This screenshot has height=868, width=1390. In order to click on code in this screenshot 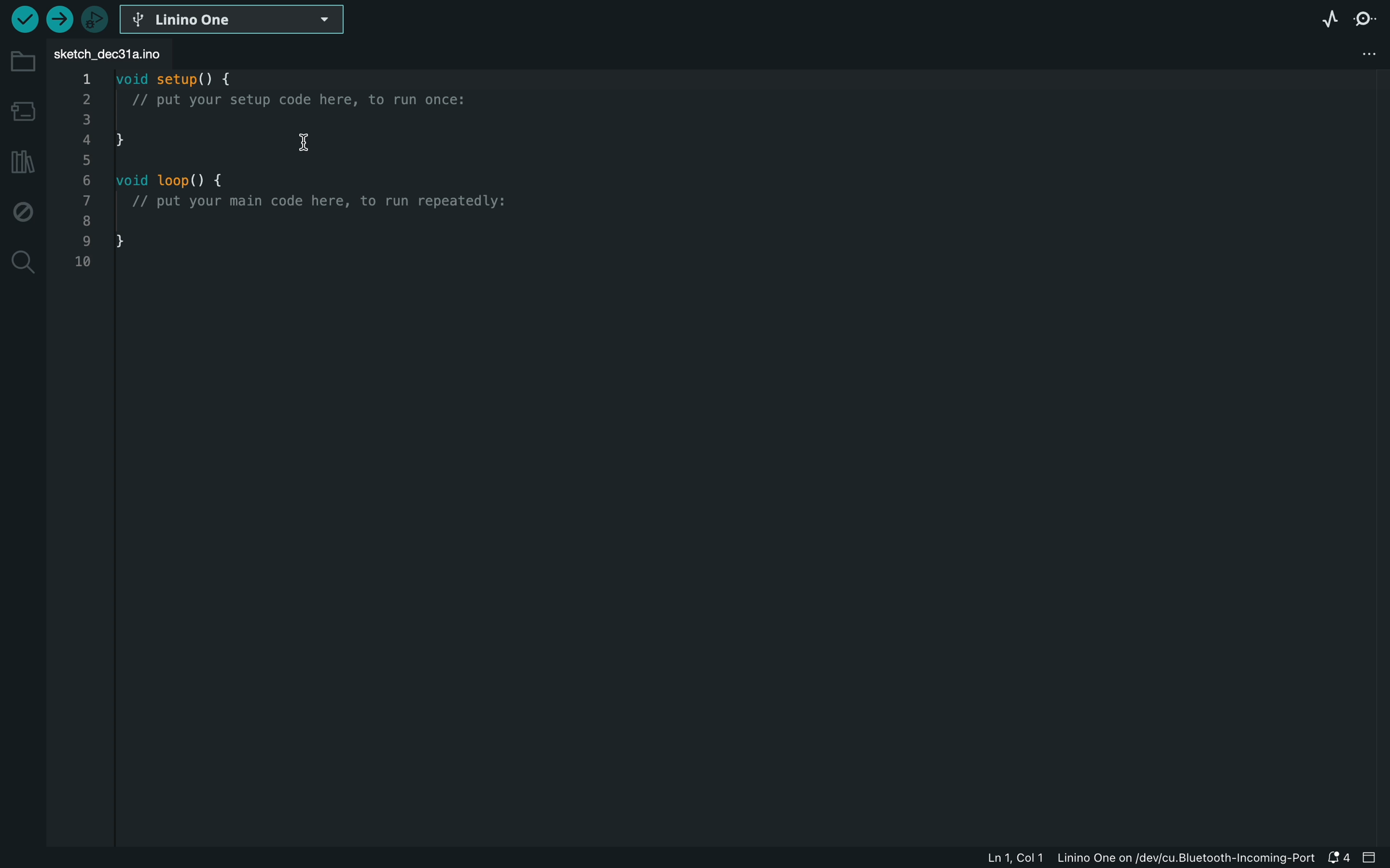, I will do `click(349, 184)`.